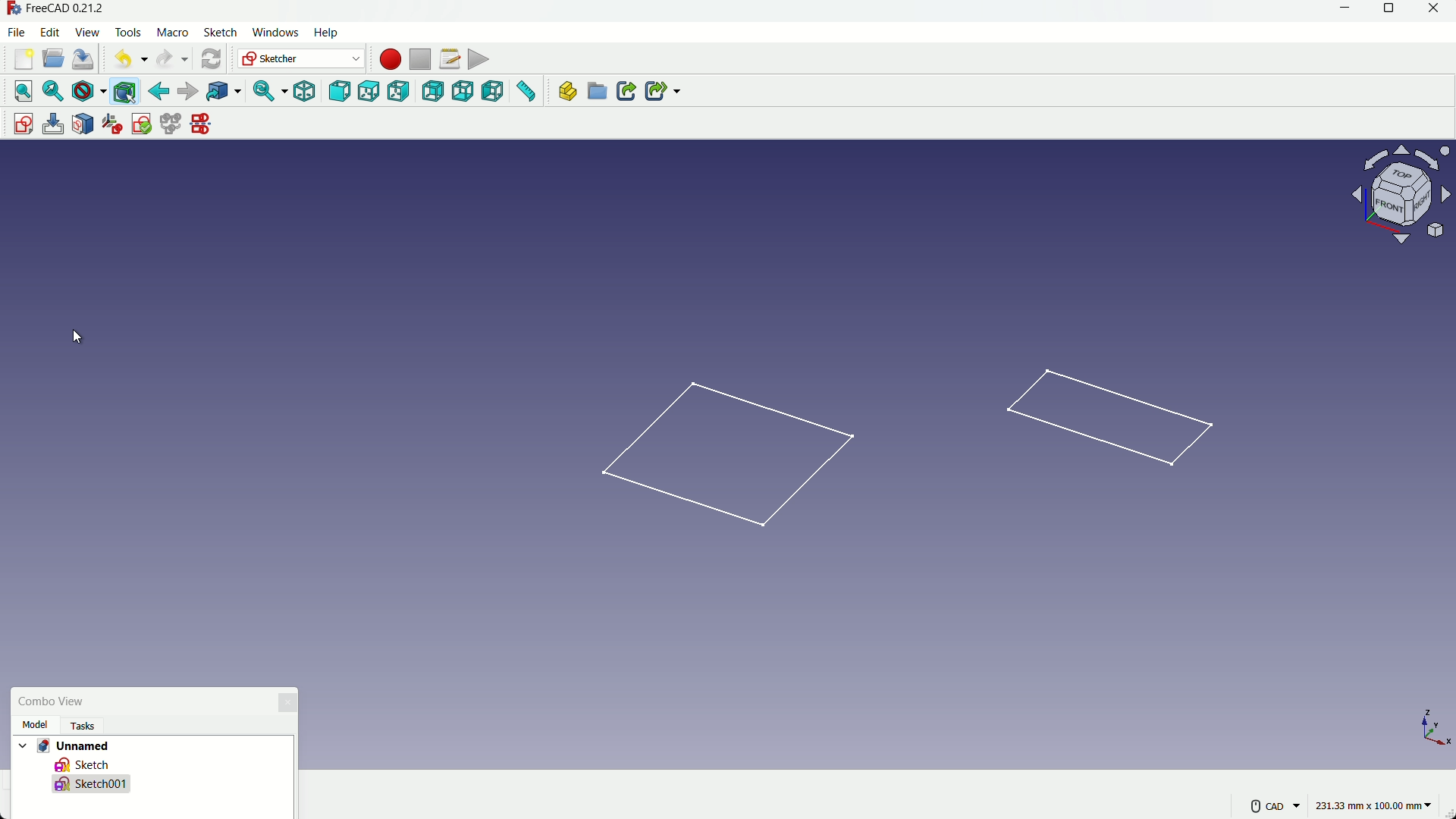 The width and height of the screenshot is (1456, 819). I want to click on minimize, so click(1341, 11).